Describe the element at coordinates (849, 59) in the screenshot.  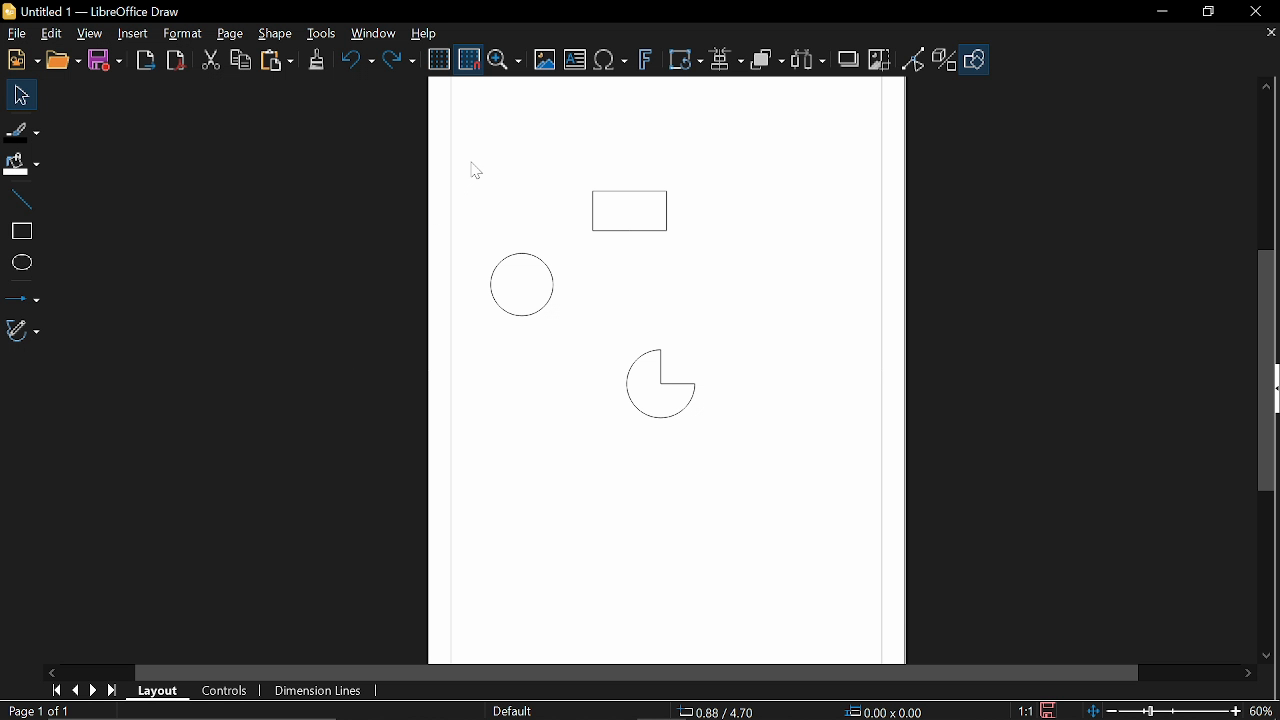
I see `Shadow` at that location.